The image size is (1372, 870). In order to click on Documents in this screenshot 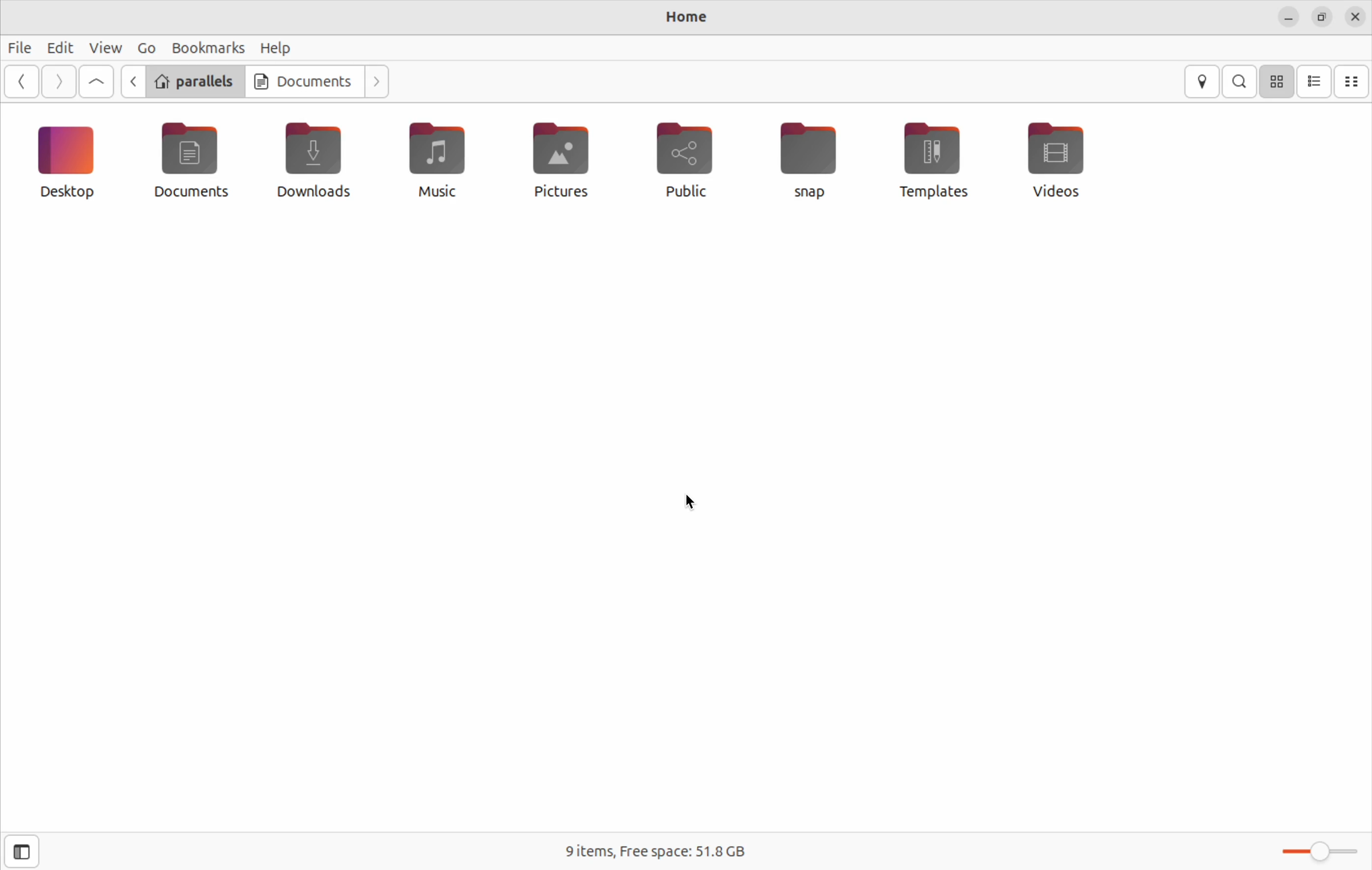, I will do `click(305, 81)`.